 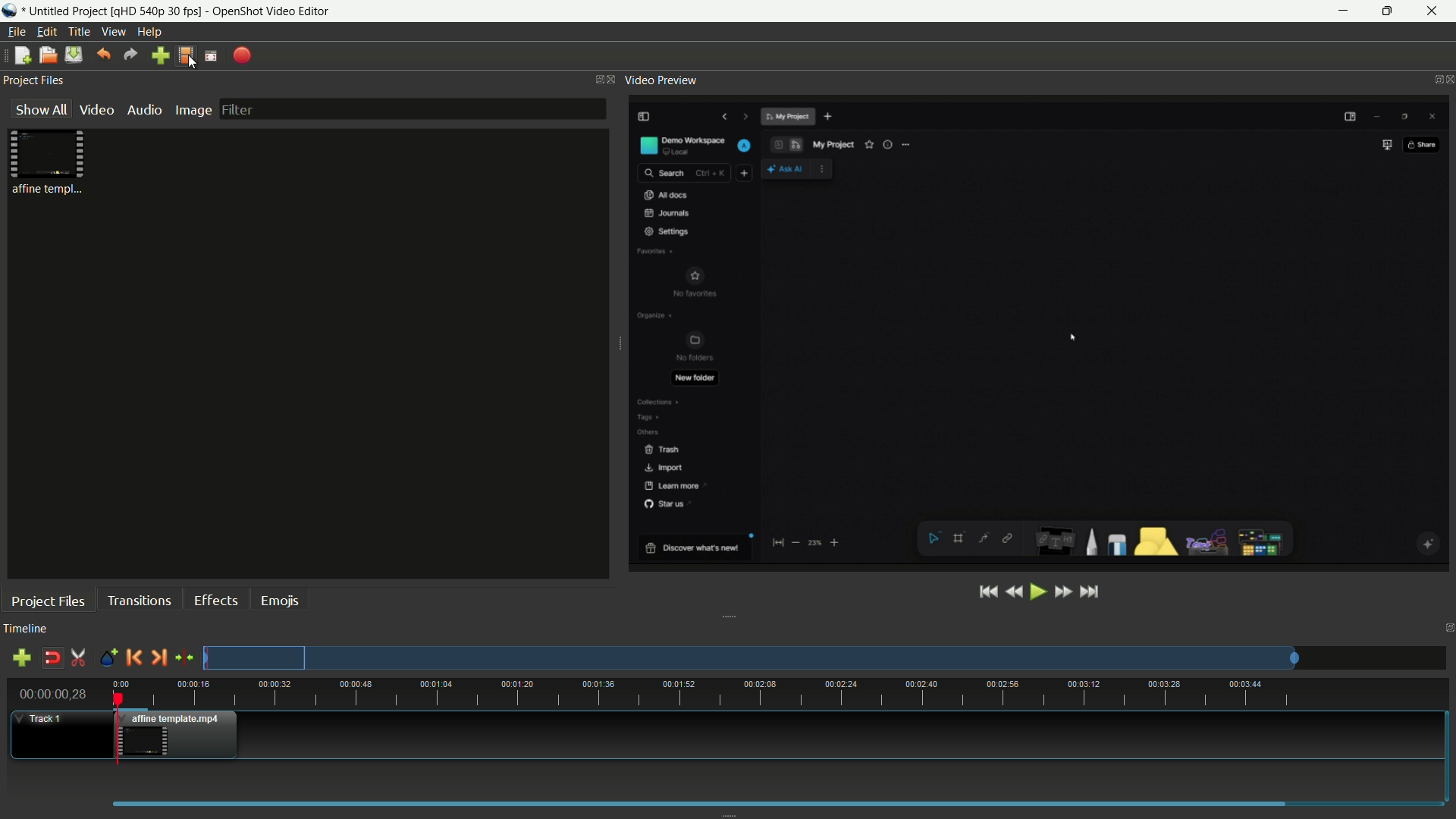 What do you see at coordinates (146, 109) in the screenshot?
I see `audio` at bounding box center [146, 109].